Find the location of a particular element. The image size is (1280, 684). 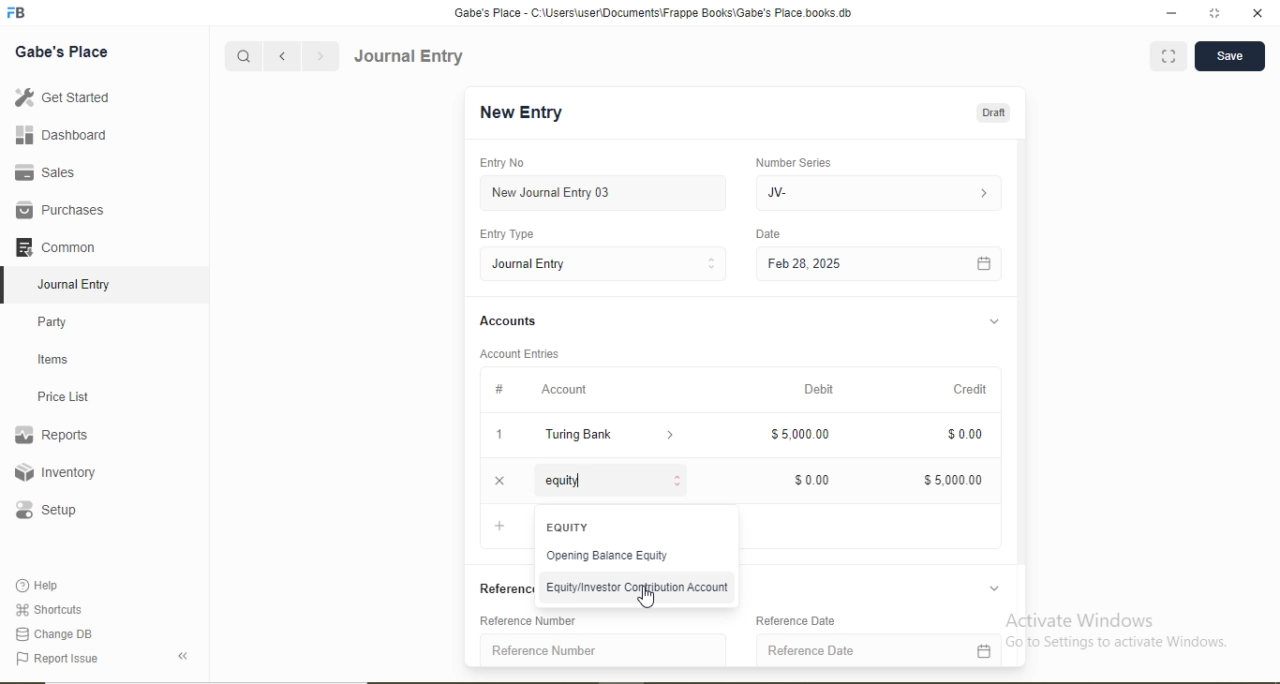

$5,000.00 is located at coordinates (954, 481).